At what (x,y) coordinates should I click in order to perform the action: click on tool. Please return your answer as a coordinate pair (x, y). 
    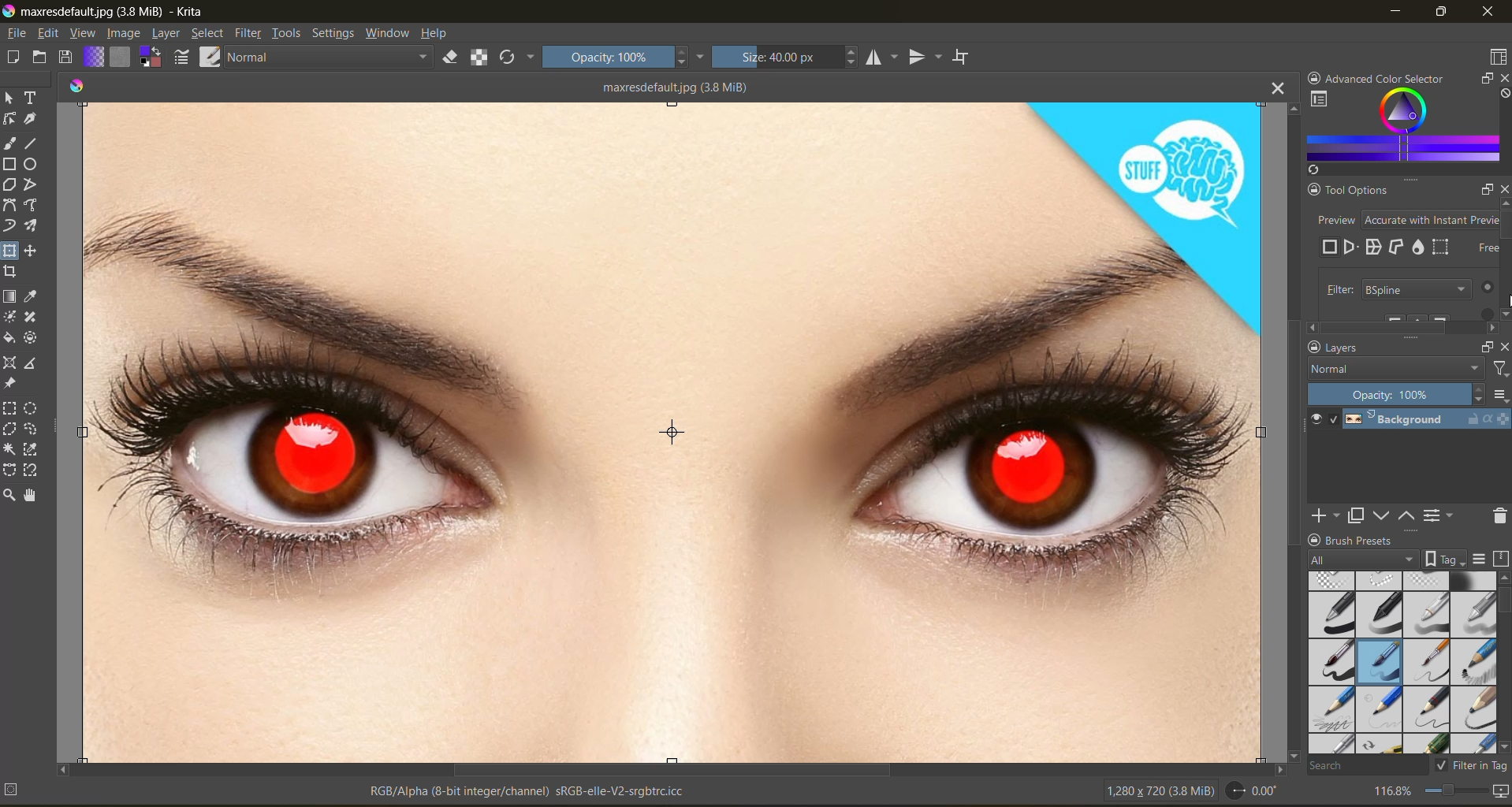
    Looking at the image, I should click on (33, 164).